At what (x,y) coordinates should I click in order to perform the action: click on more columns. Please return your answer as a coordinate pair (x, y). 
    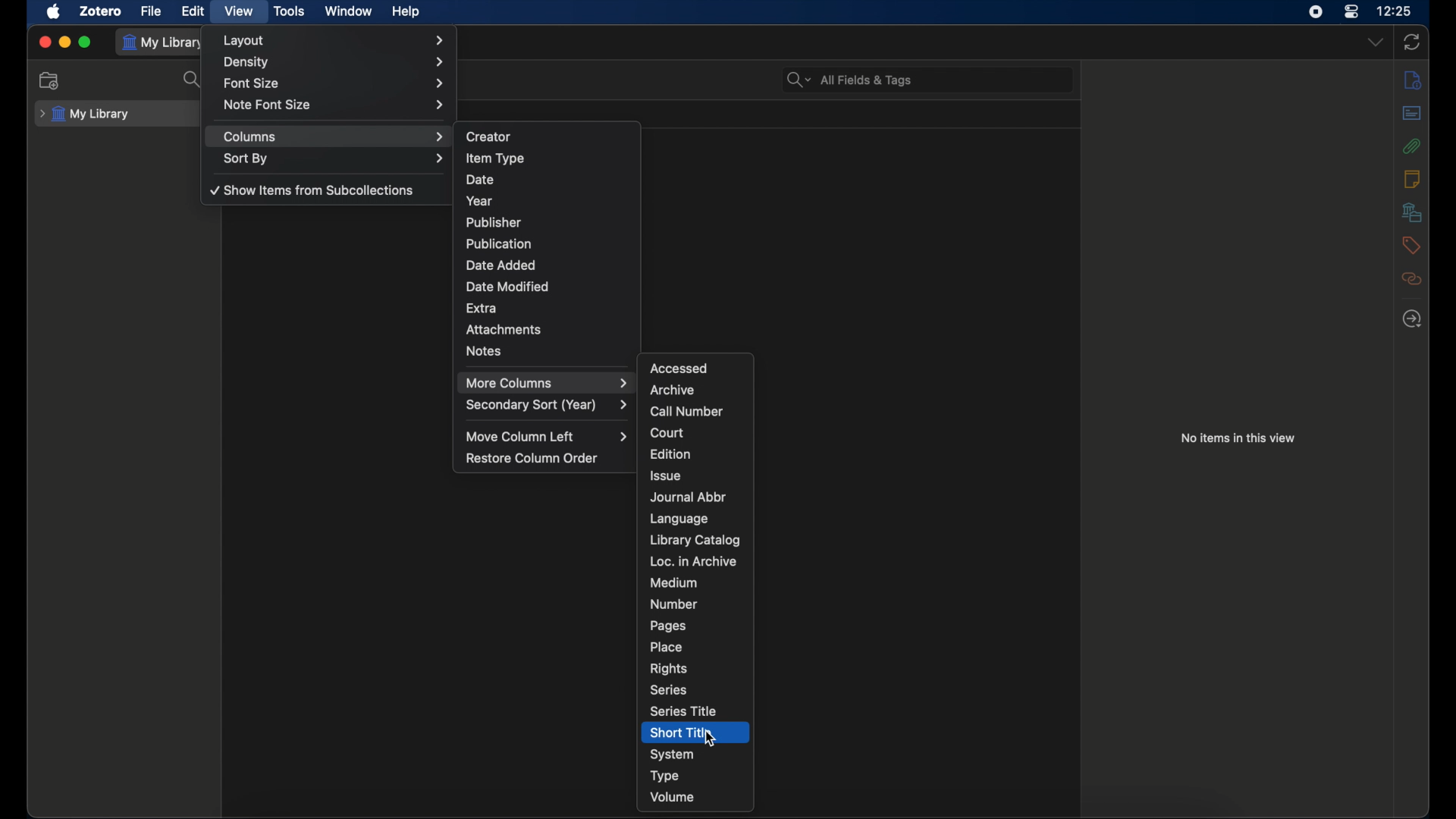
    Looking at the image, I should click on (546, 382).